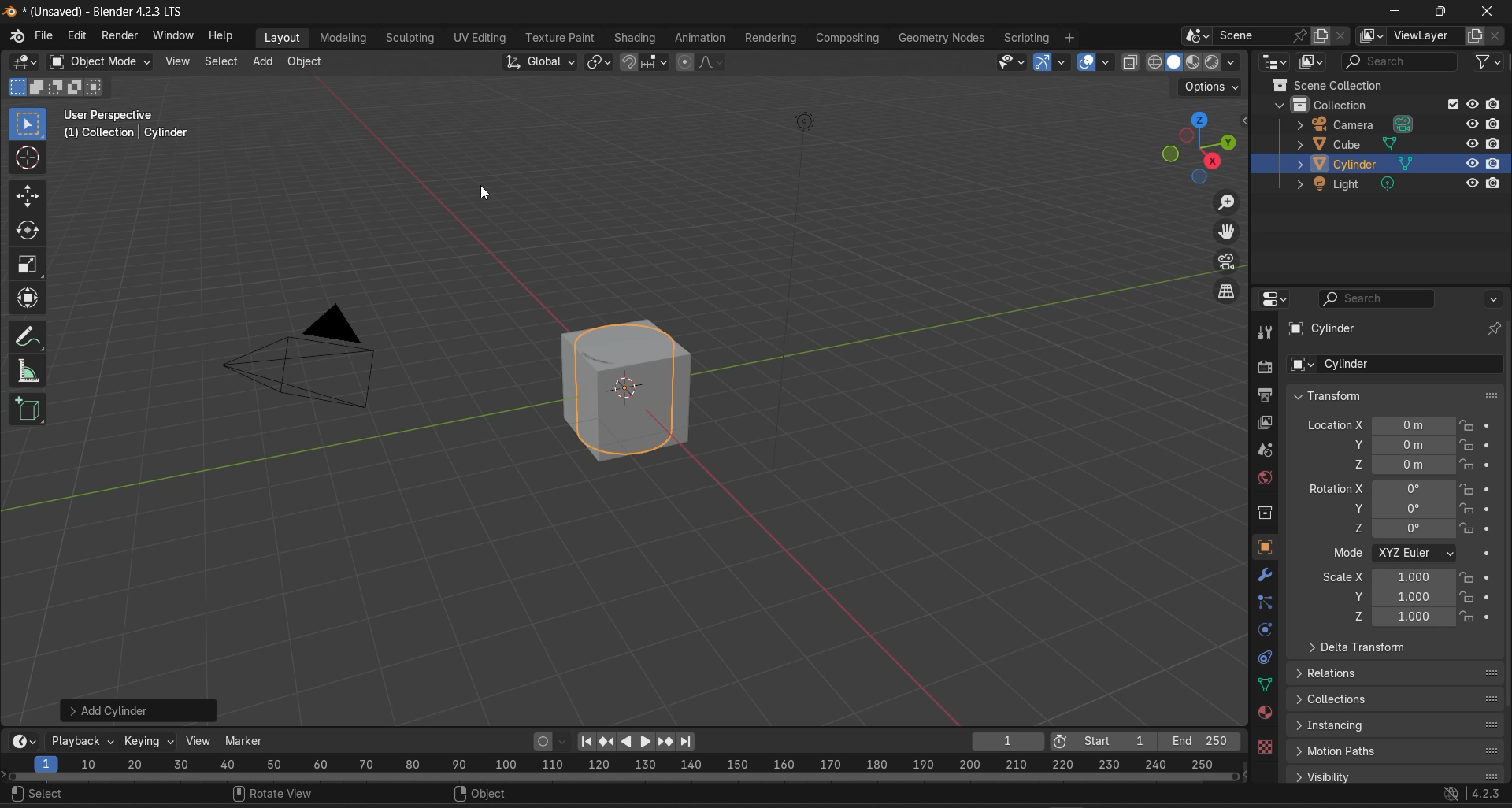 The height and width of the screenshot is (808, 1512). What do you see at coordinates (1329, 84) in the screenshot?
I see `scene collection` at bounding box center [1329, 84].